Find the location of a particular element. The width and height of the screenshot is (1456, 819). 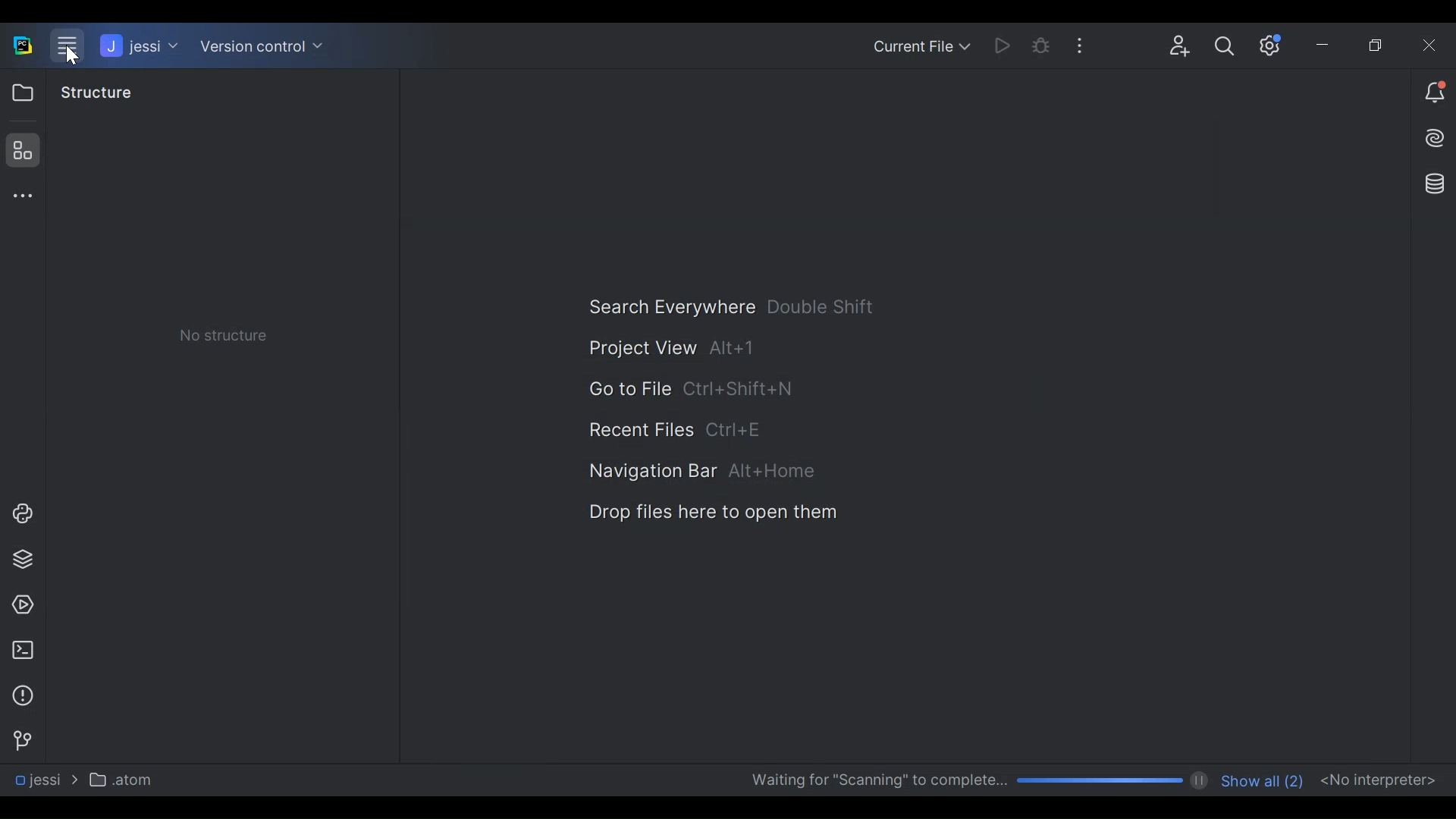

Recent Files is located at coordinates (643, 432).